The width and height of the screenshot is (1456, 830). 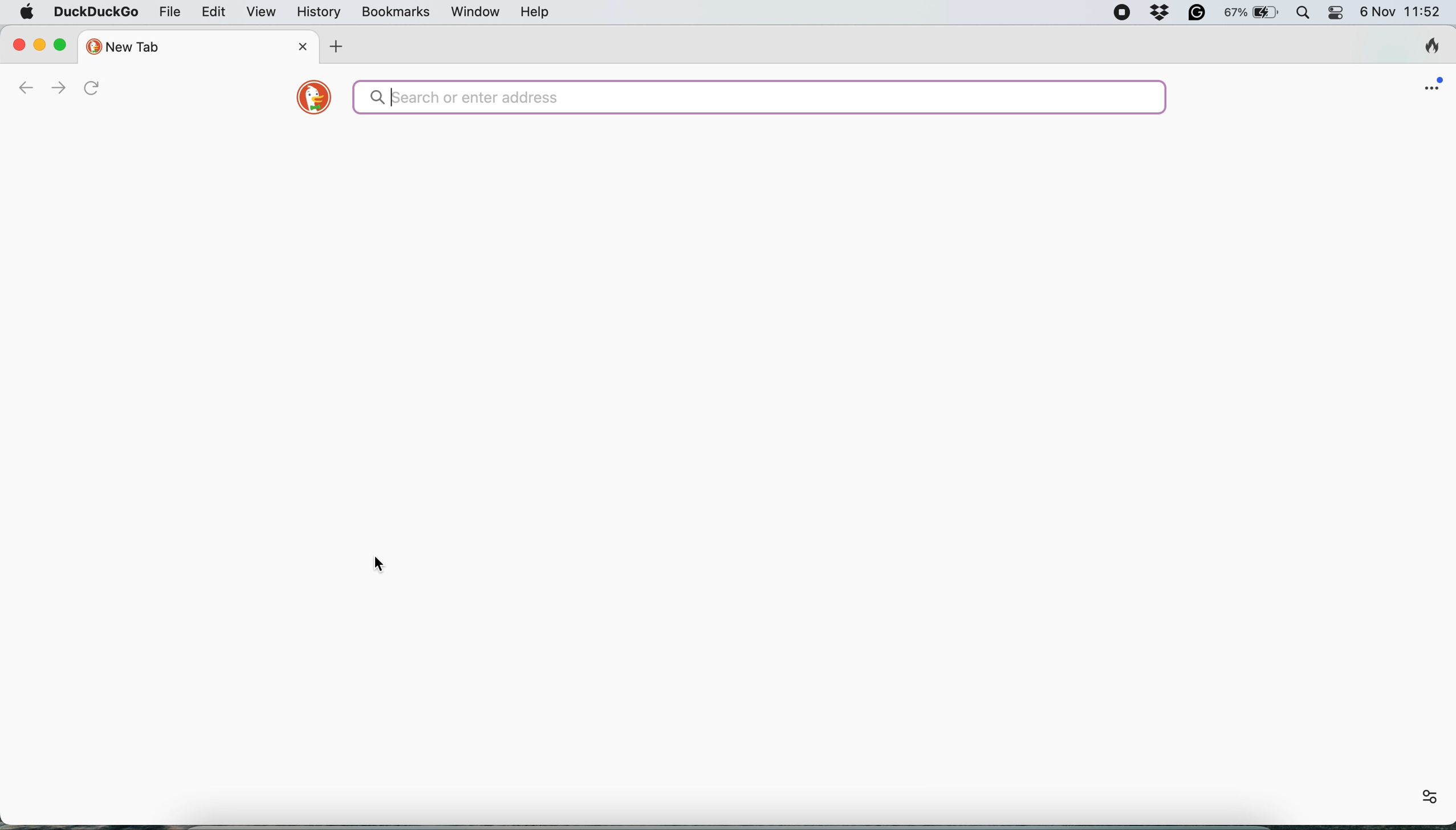 What do you see at coordinates (167, 13) in the screenshot?
I see `file` at bounding box center [167, 13].